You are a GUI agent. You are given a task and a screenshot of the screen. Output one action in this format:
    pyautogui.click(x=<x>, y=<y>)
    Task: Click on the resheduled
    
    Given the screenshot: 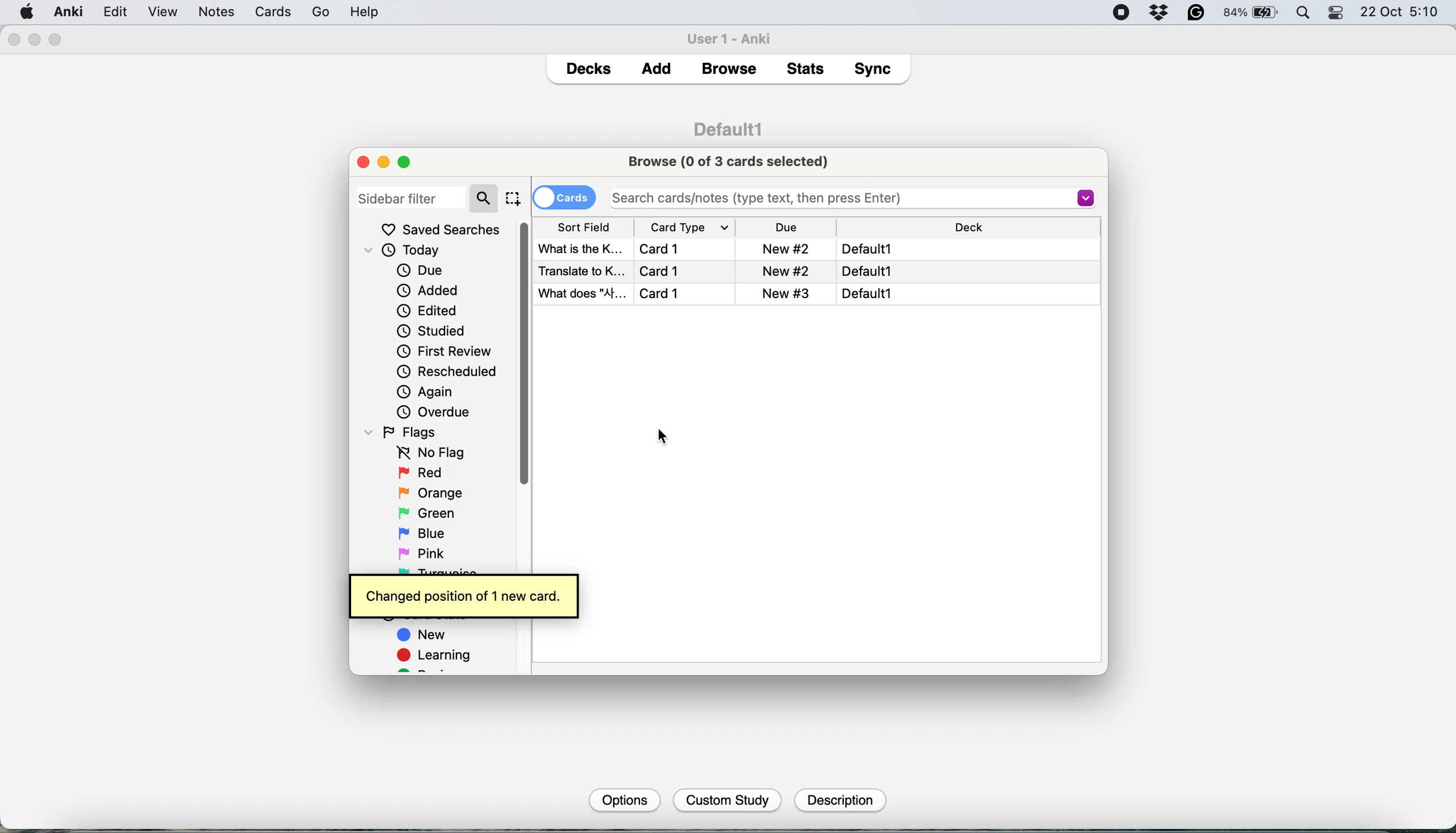 What is the action you would take?
    pyautogui.click(x=451, y=372)
    